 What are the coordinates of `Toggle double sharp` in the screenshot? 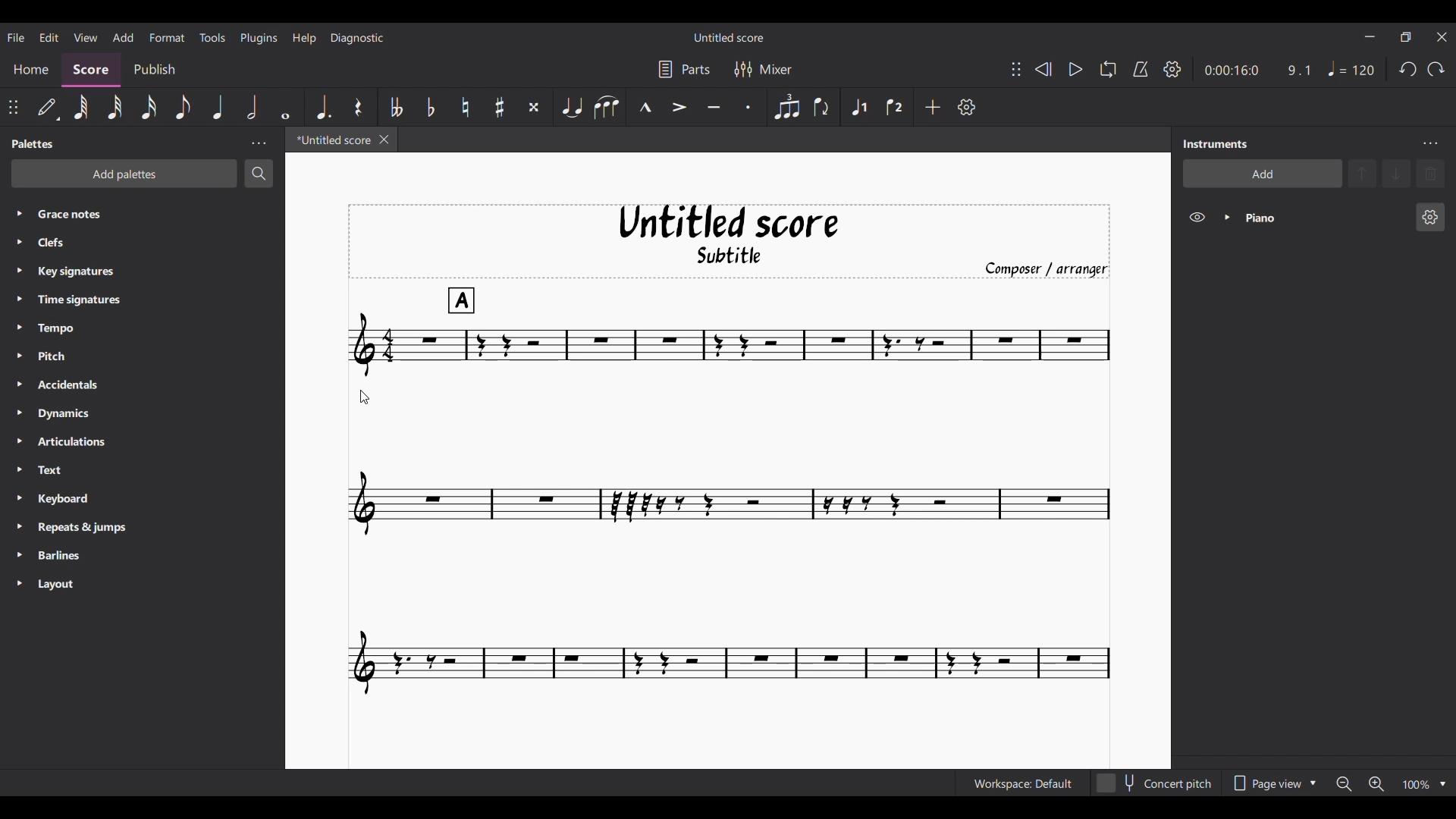 It's located at (534, 107).